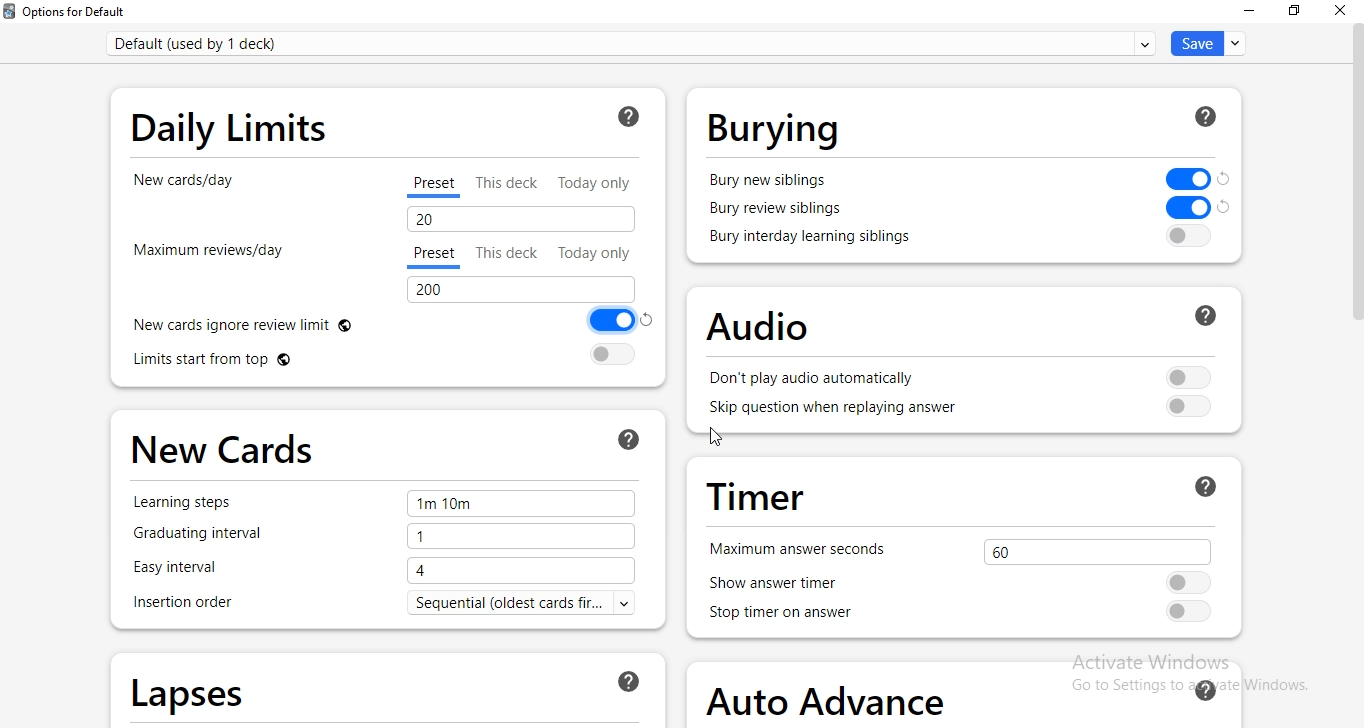 The width and height of the screenshot is (1364, 728). What do you see at coordinates (1214, 315) in the screenshot?
I see `ask` at bounding box center [1214, 315].